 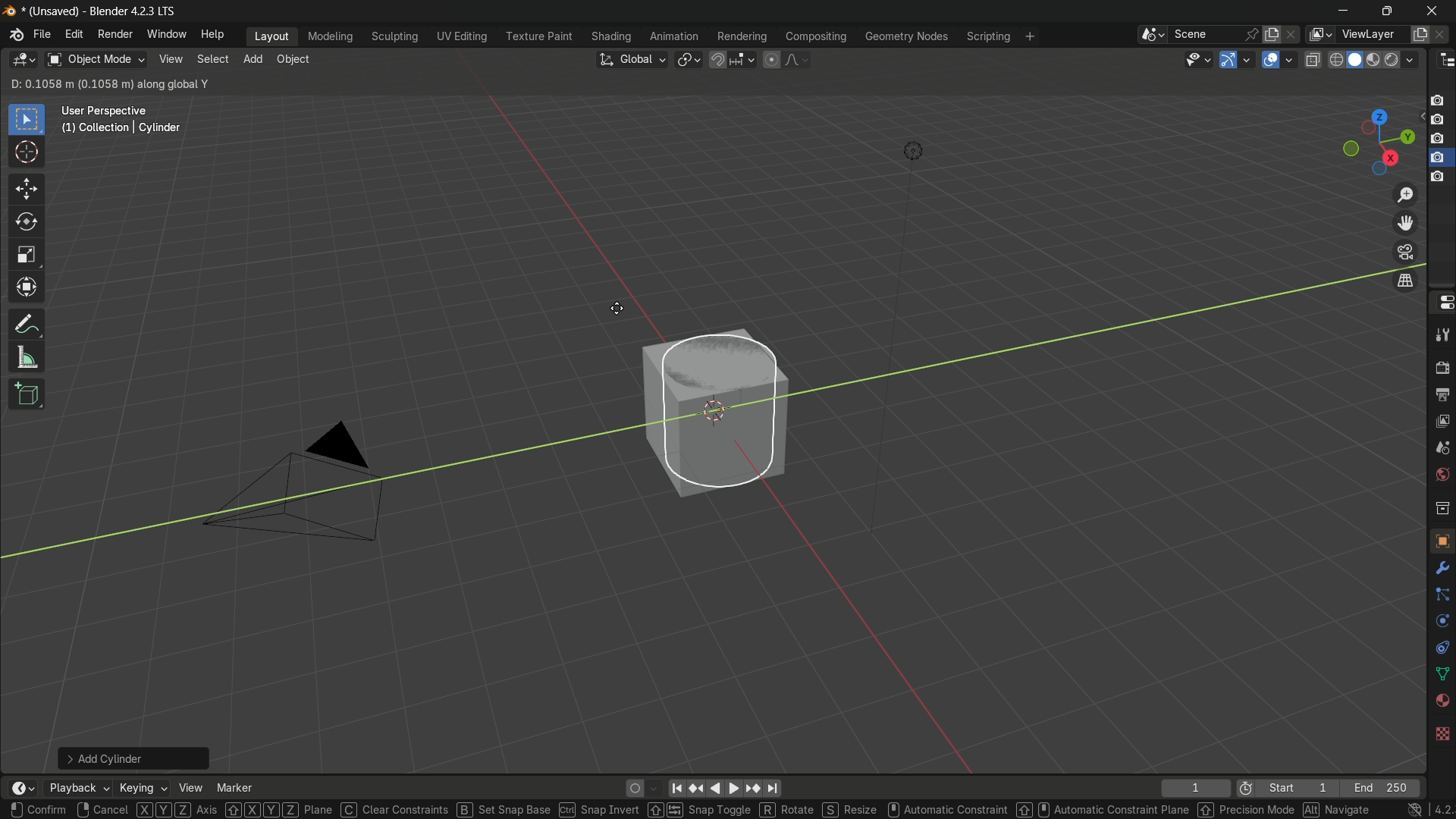 I want to click on cursor, so click(x=615, y=309).